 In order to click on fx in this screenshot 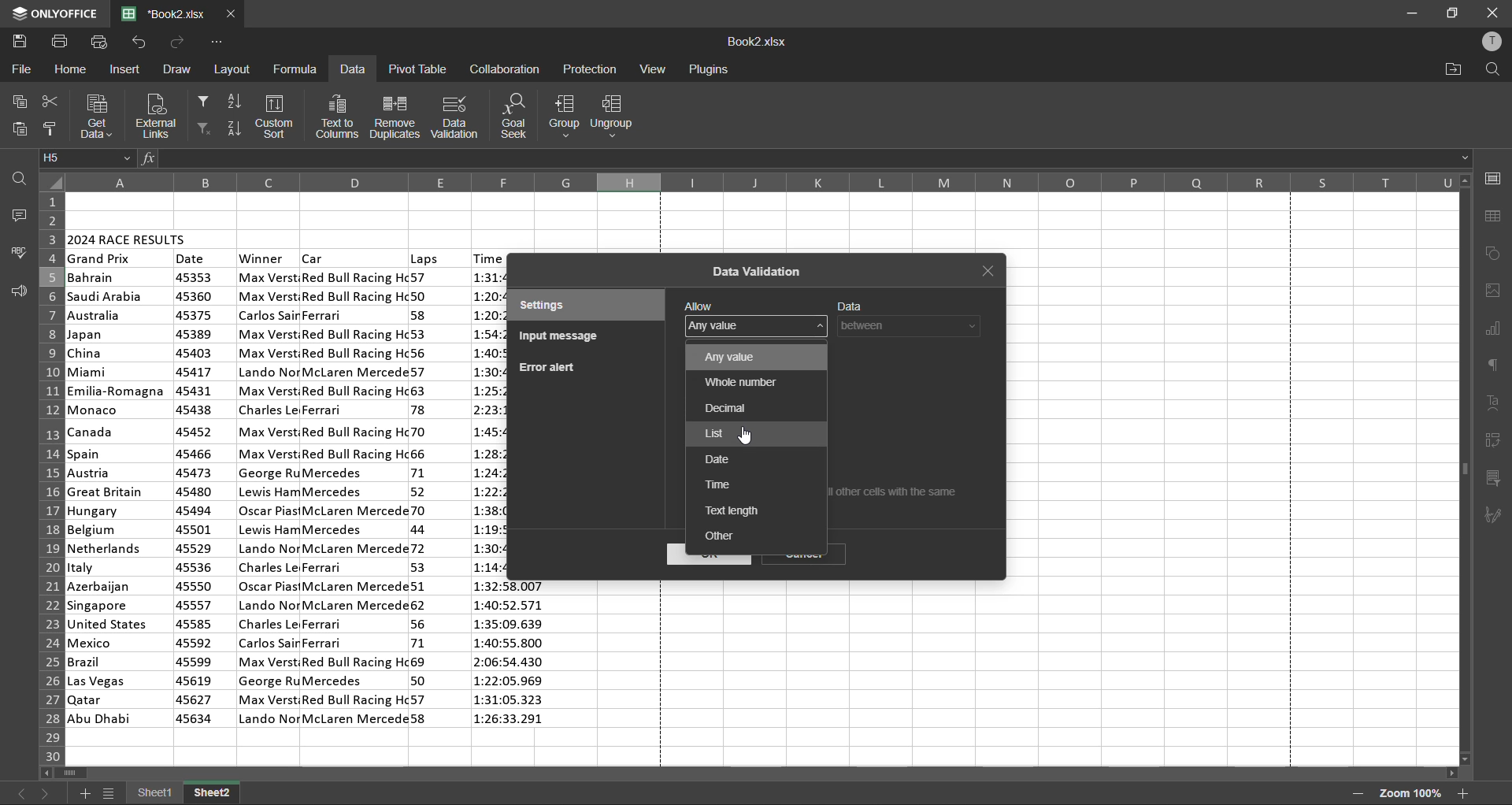, I will do `click(150, 161)`.